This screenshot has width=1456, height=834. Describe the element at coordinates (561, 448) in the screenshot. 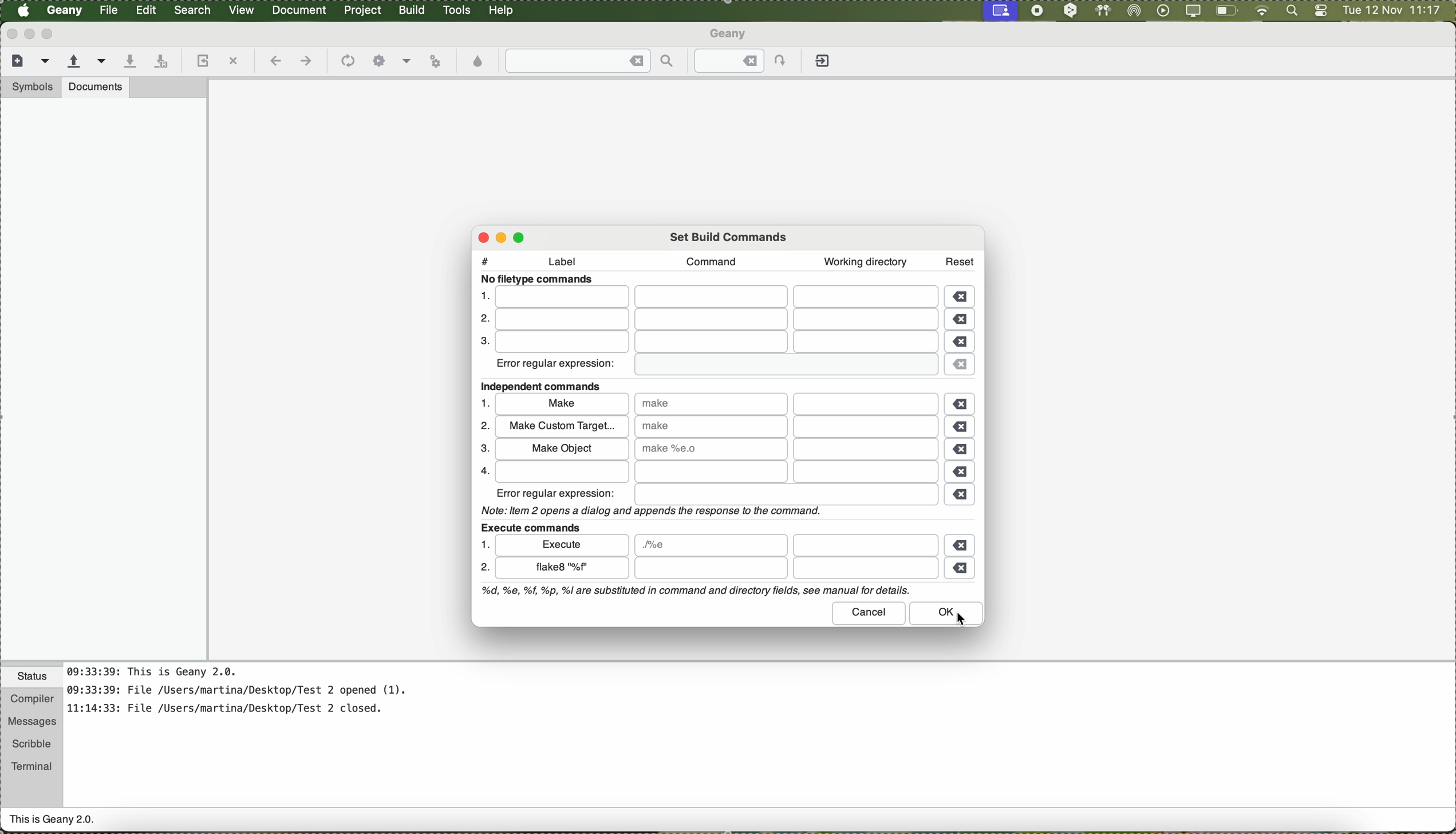

I see `make object` at that location.